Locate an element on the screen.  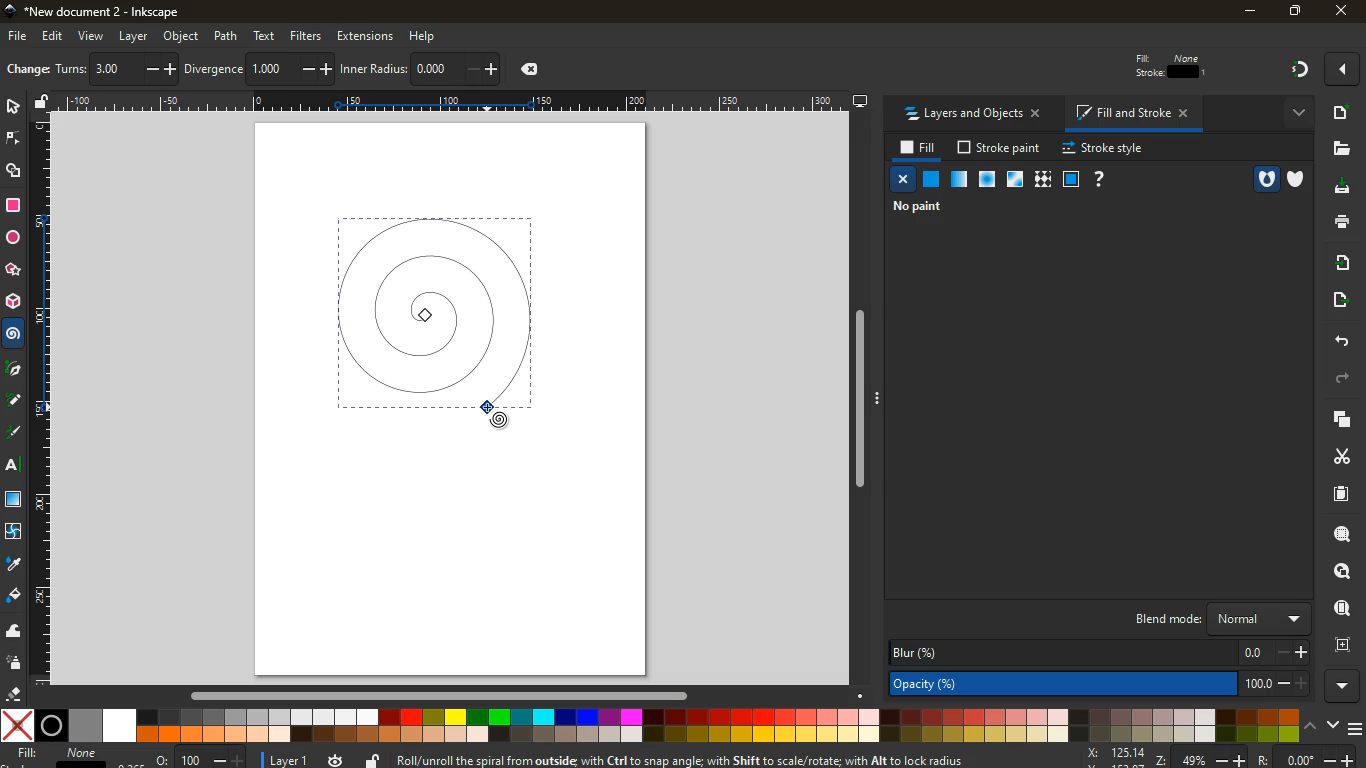
blend mode is located at coordinates (1211, 620).